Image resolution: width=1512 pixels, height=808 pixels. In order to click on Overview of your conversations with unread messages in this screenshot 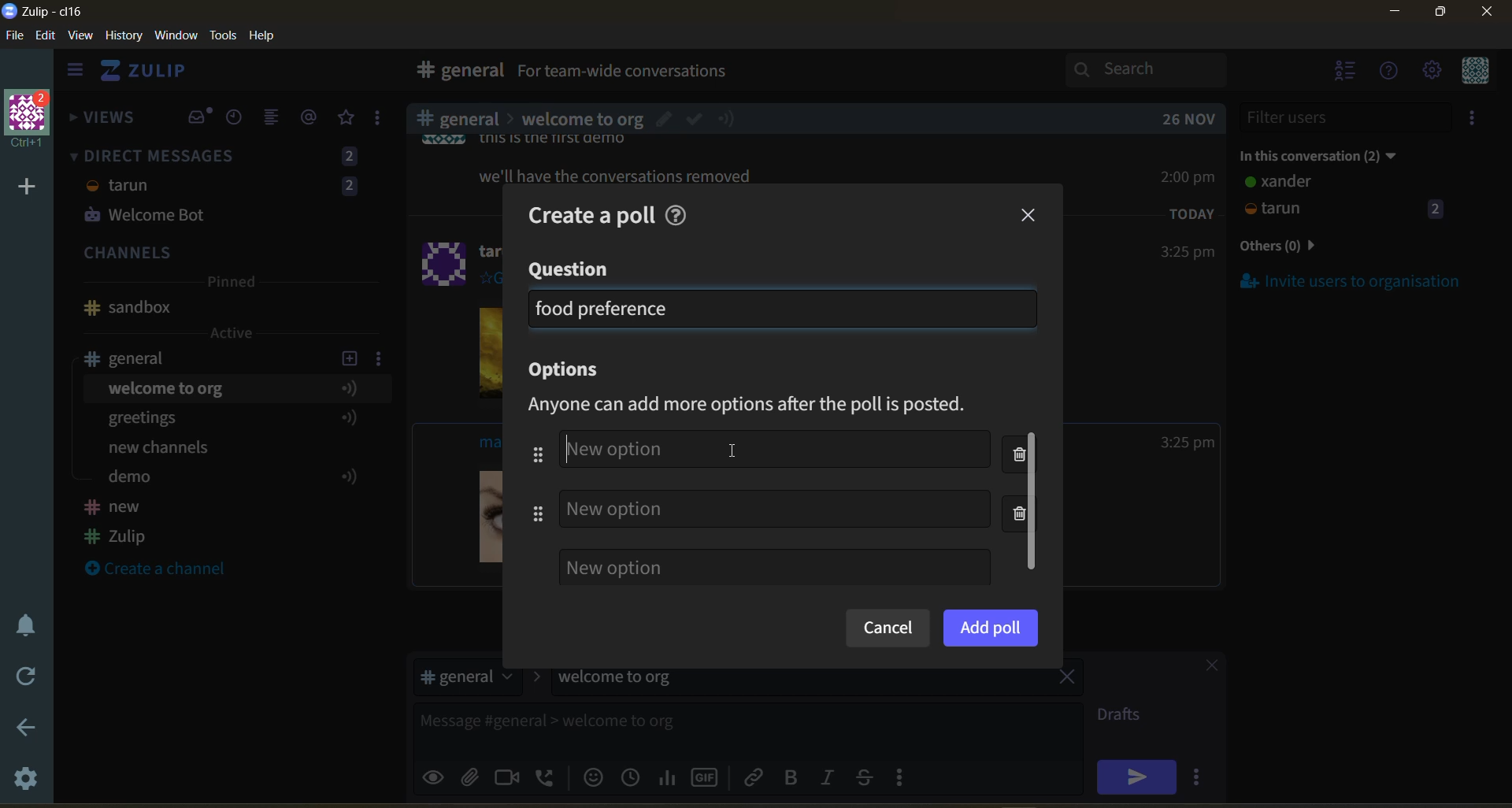, I will do `click(696, 73)`.